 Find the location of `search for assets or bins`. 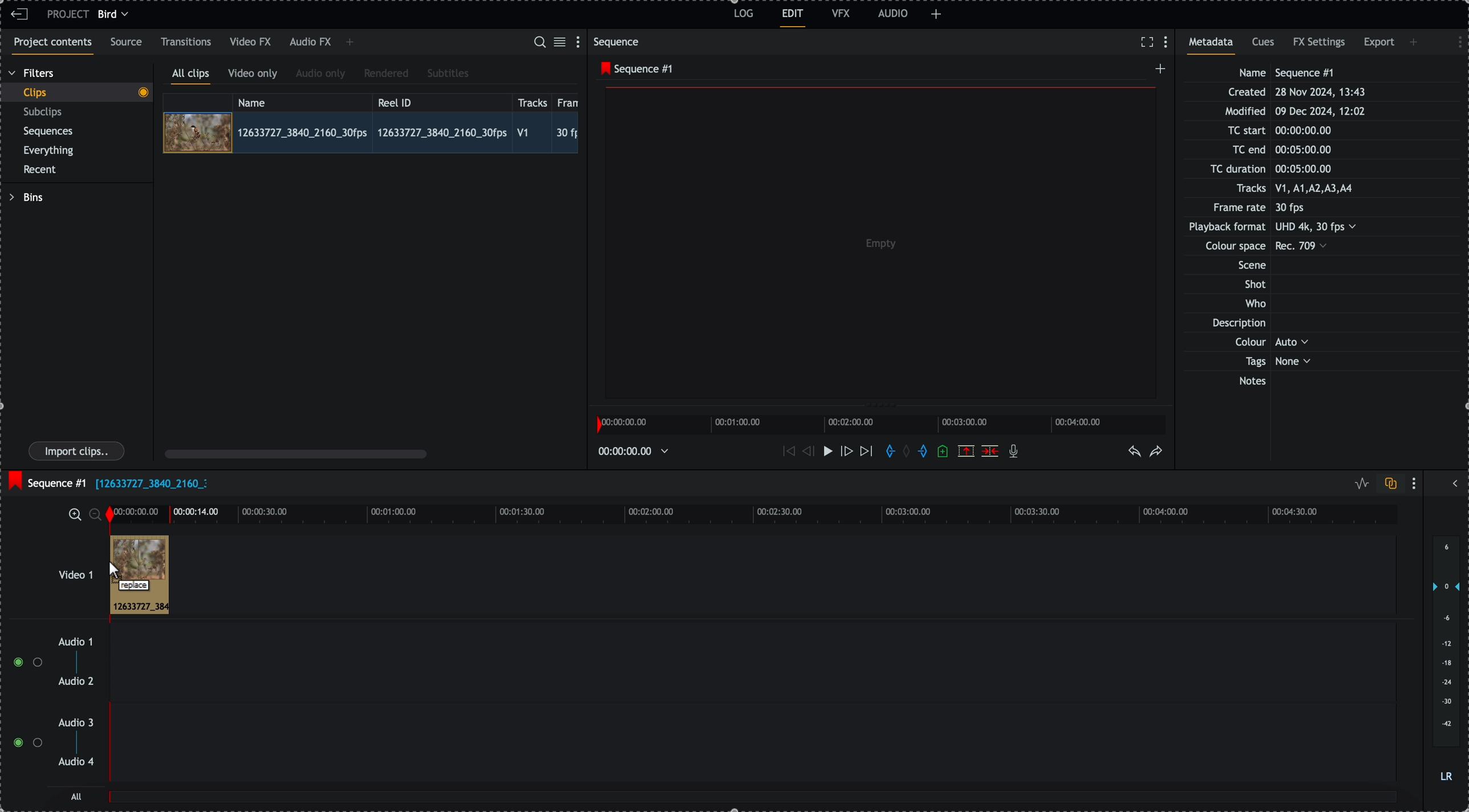

search for assets or bins is located at coordinates (539, 43).